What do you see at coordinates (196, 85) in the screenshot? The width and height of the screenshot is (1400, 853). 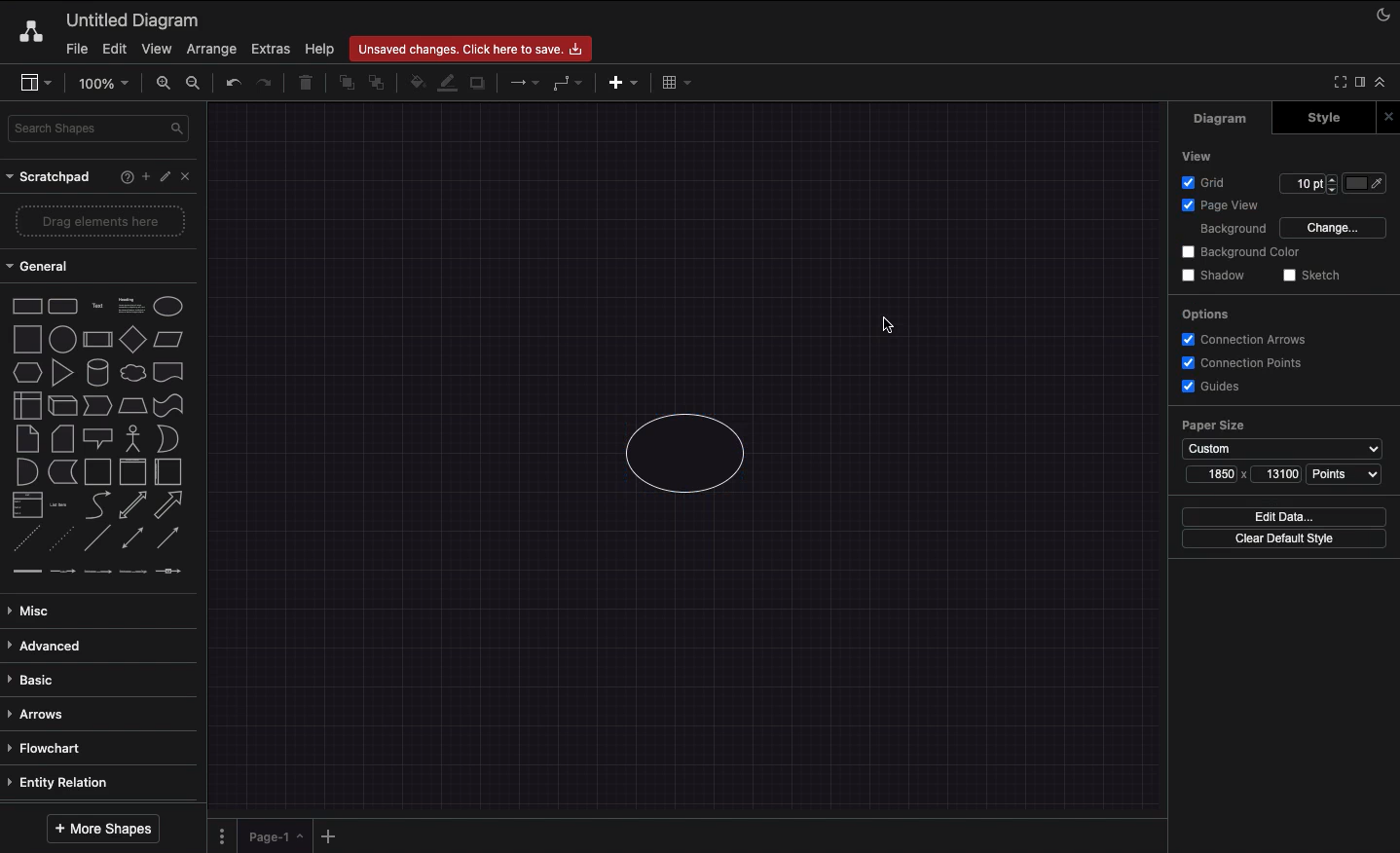 I see `Zoom out` at bounding box center [196, 85].